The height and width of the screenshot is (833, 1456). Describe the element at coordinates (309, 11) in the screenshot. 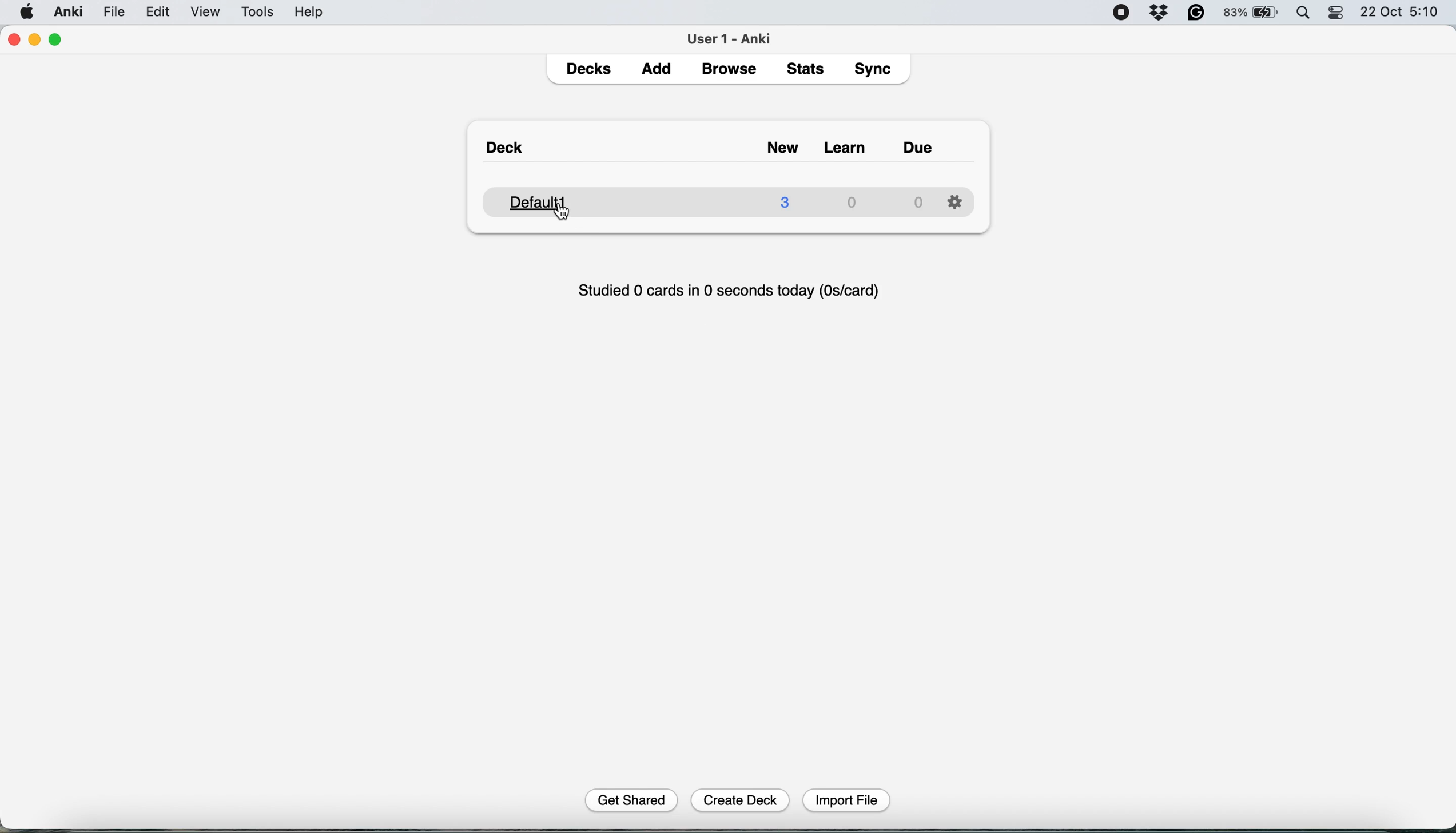

I see `help` at that location.